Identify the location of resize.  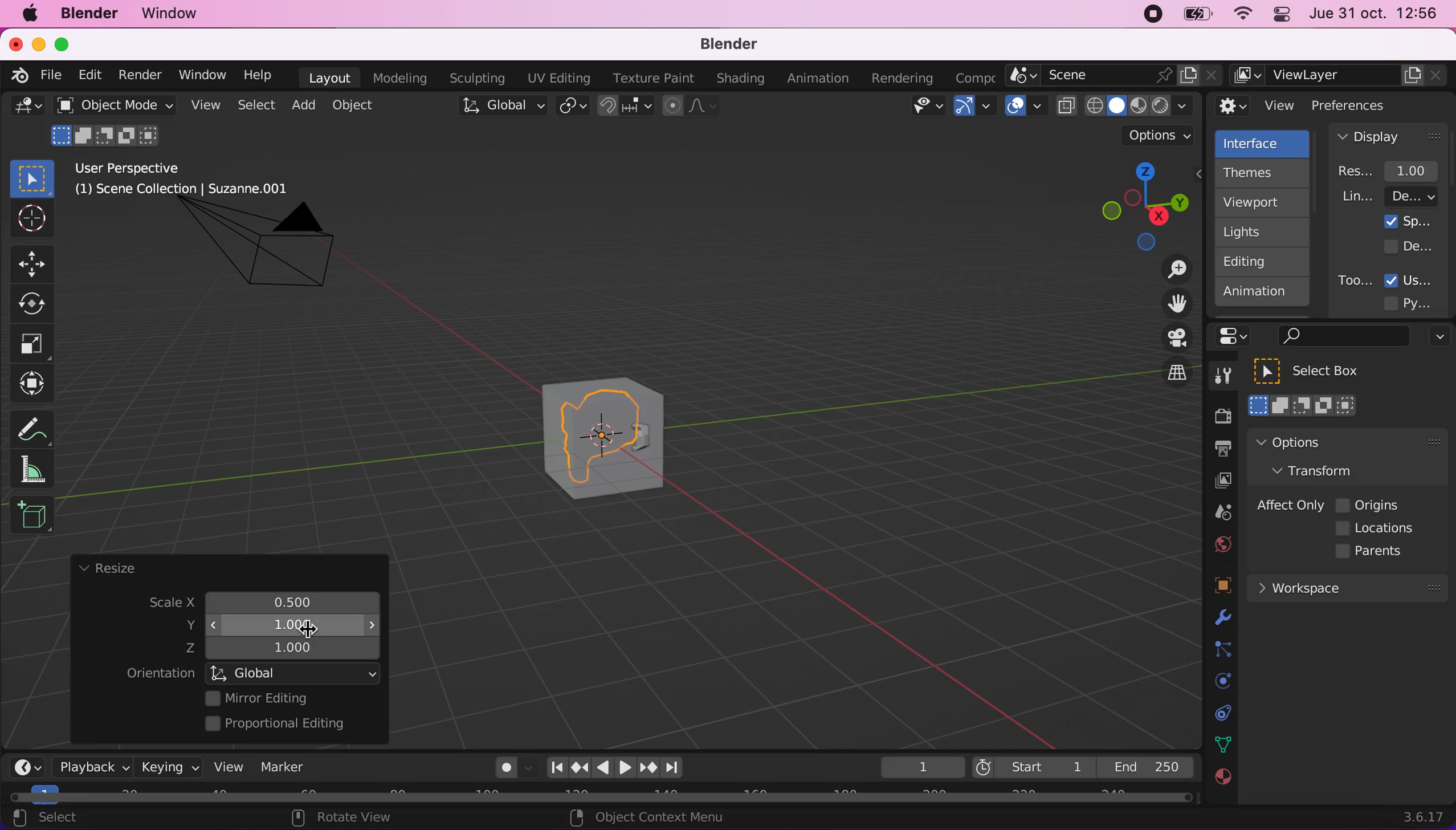
(107, 569).